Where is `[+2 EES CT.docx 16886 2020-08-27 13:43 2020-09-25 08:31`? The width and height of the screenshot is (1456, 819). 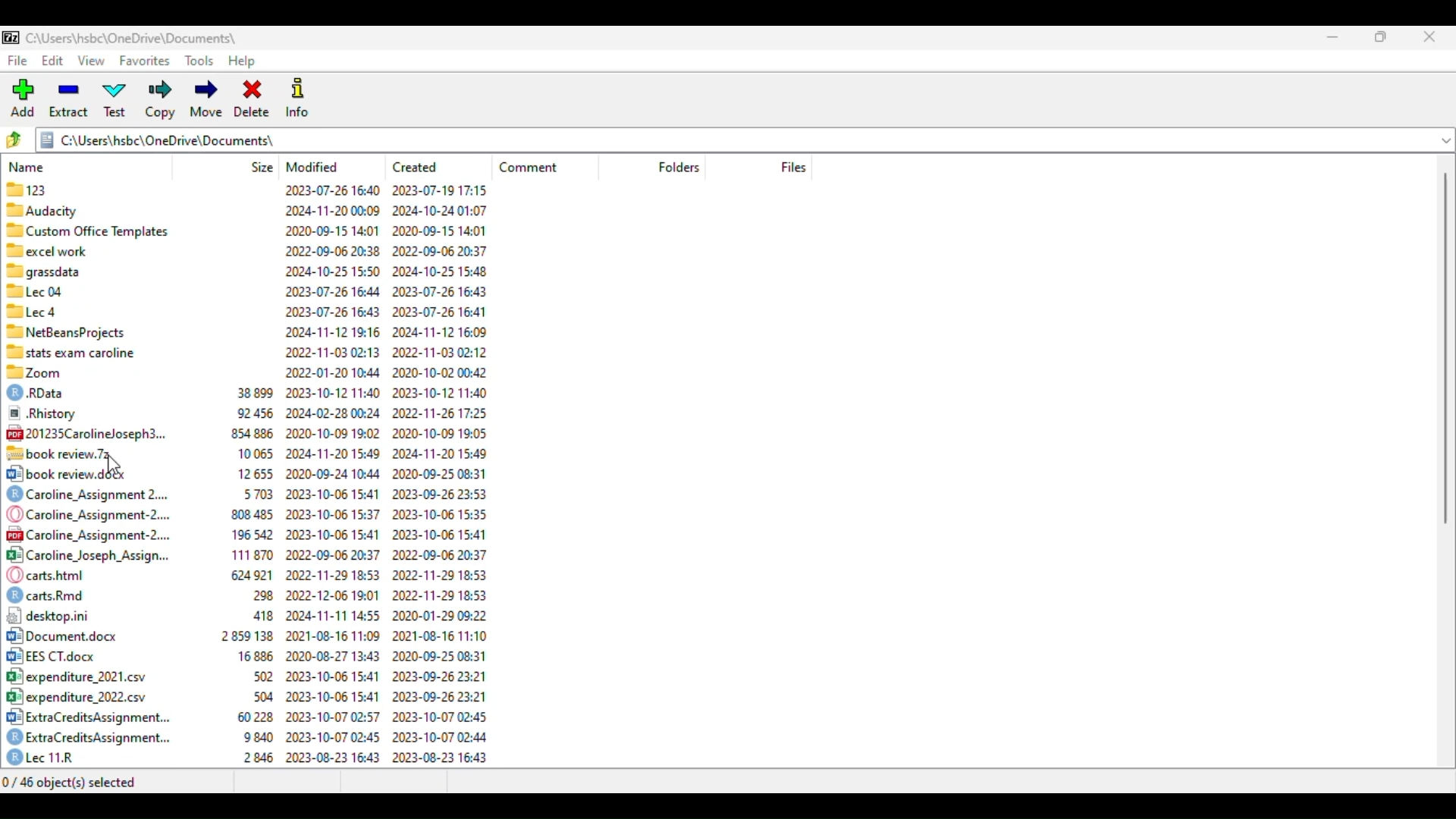 [+2 EES CT.docx 16886 2020-08-27 13:43 2020-09-25 08:31 is located at coordinates (246, 656).